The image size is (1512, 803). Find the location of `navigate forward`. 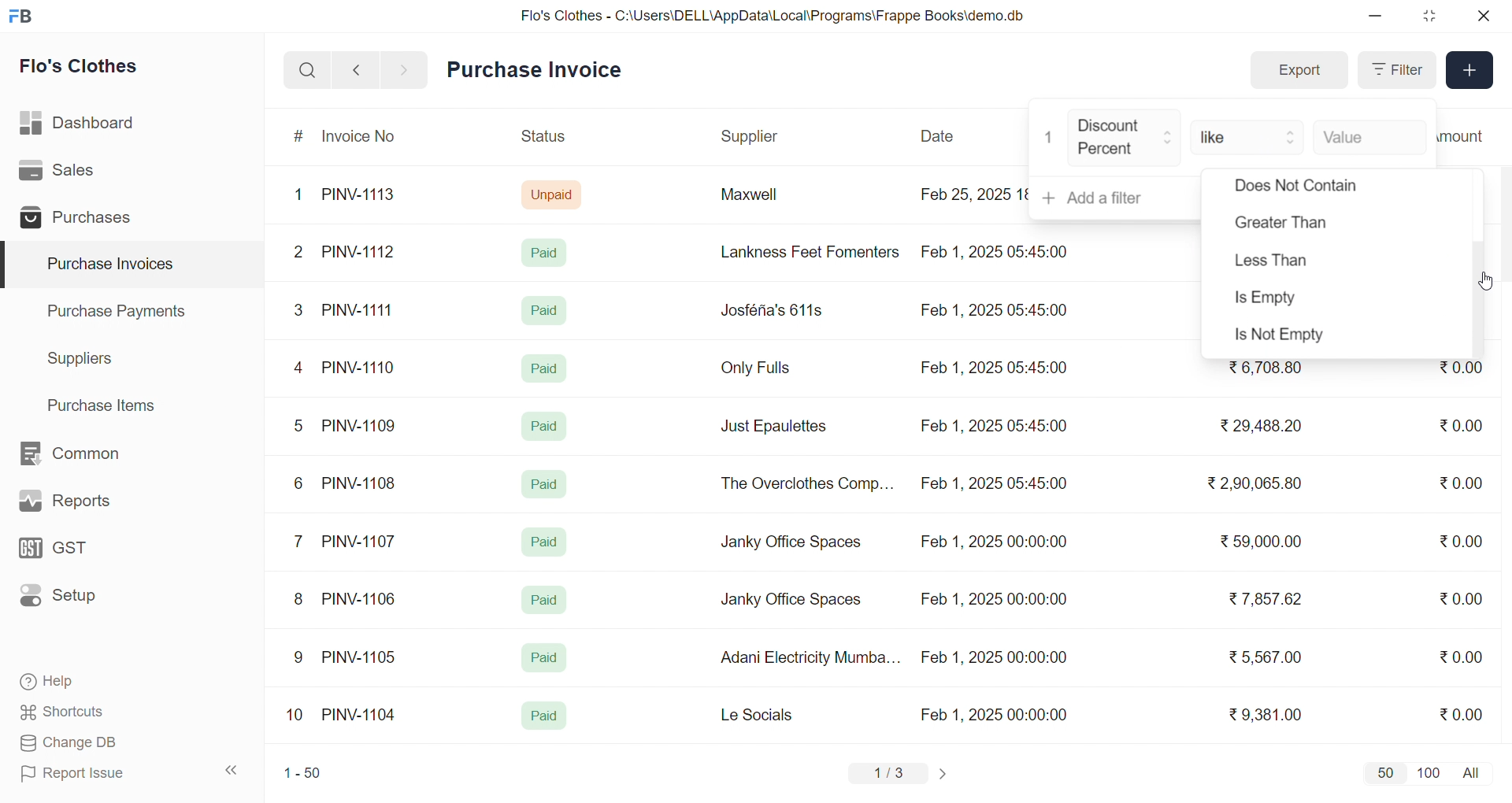

navigate forward is located at coordinates (406, 68).